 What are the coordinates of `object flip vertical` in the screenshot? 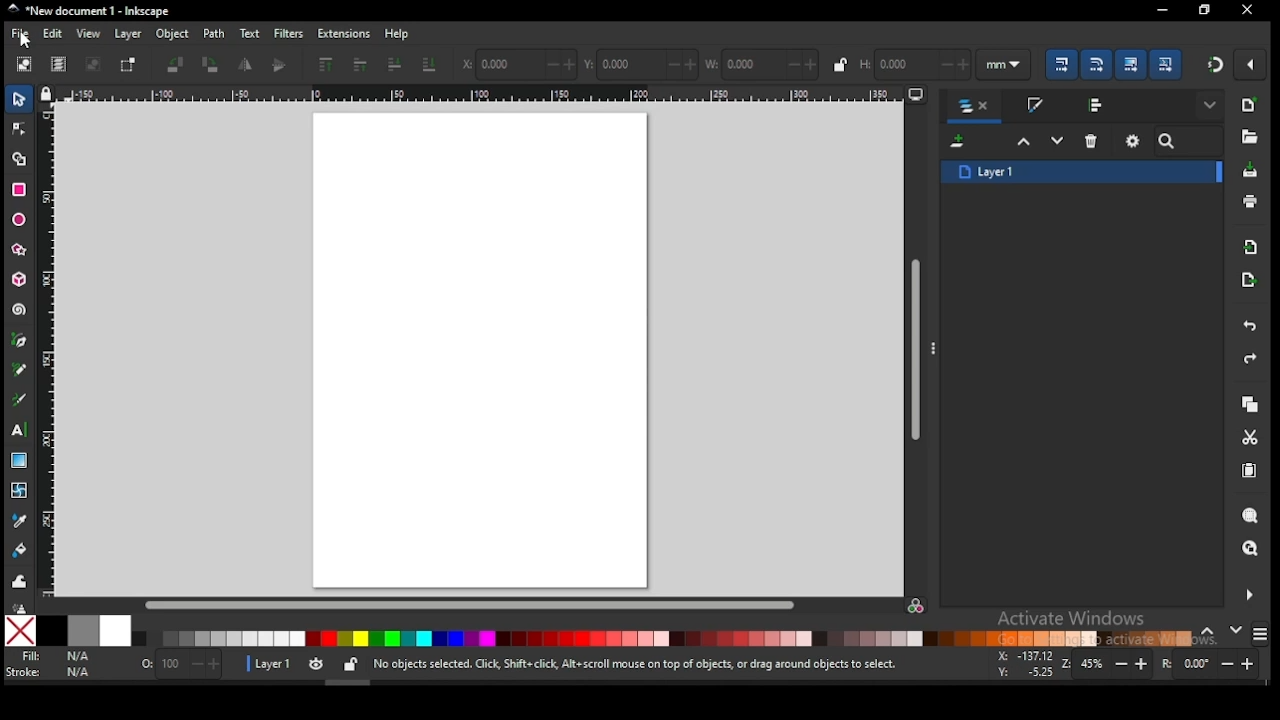 It's located at (280, 65).